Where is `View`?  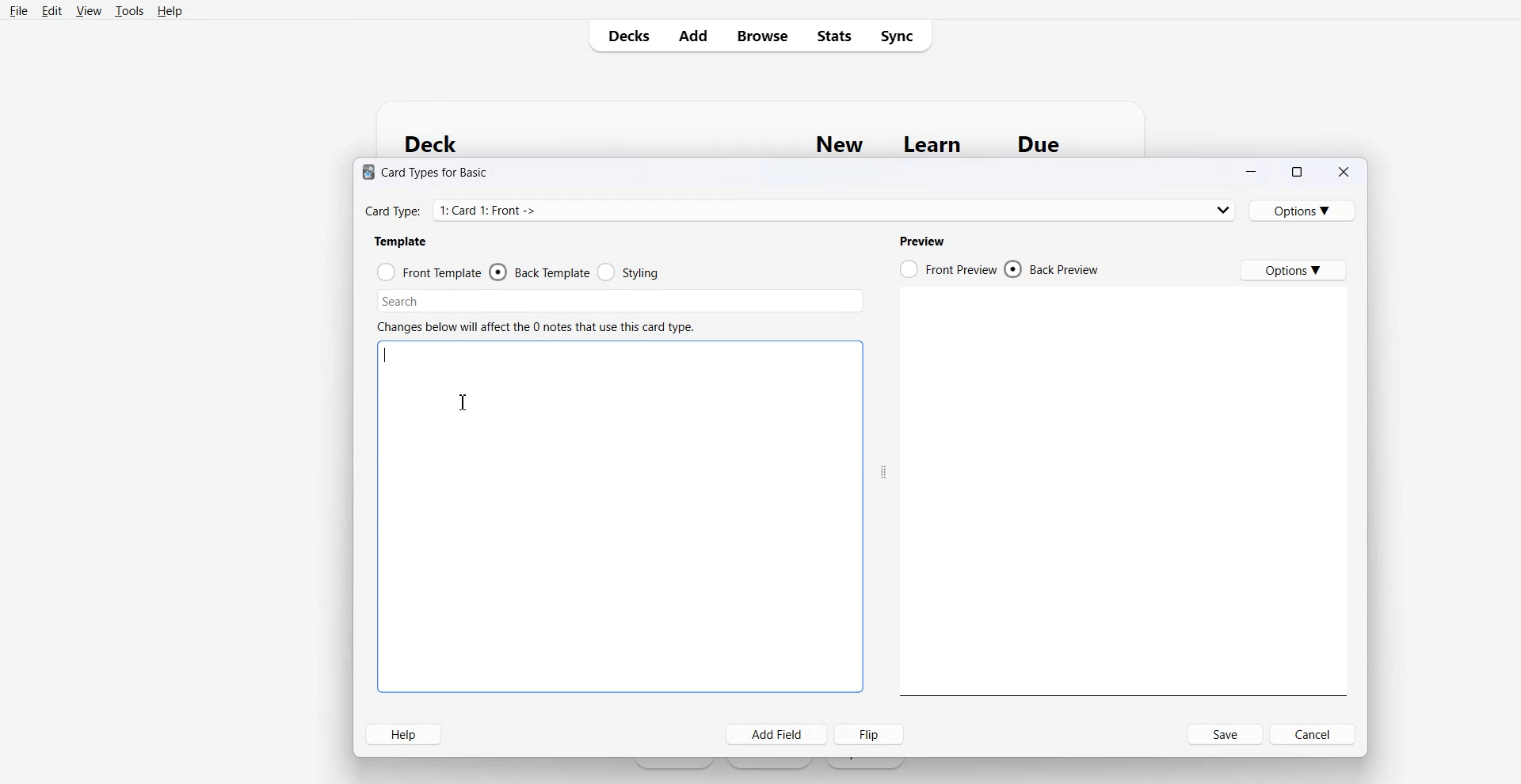 View is located at coordinates (89, 10).